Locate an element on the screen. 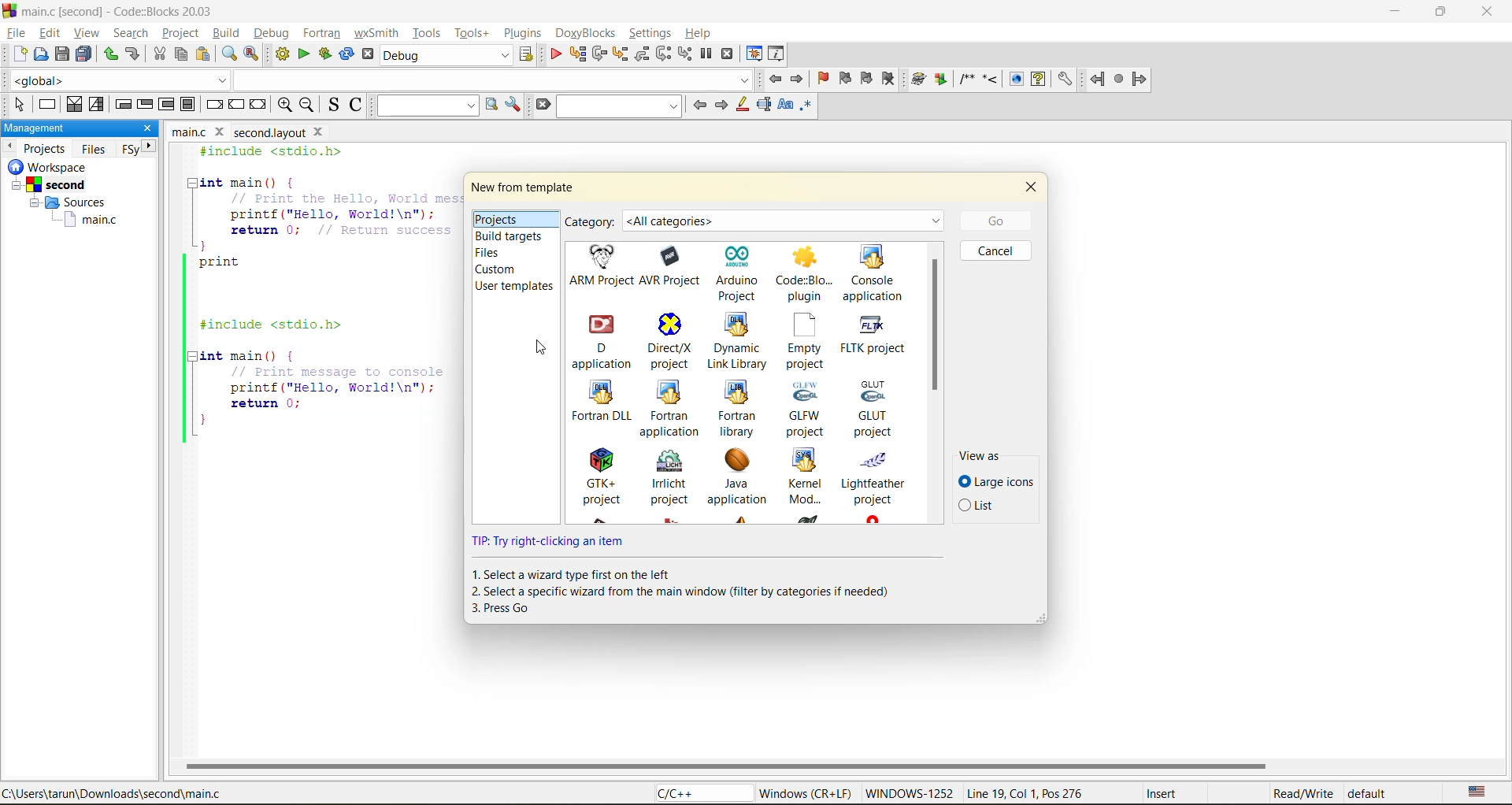 This screenshot has width=1512, height=805. zoom in is located at coordinates (282, 105).